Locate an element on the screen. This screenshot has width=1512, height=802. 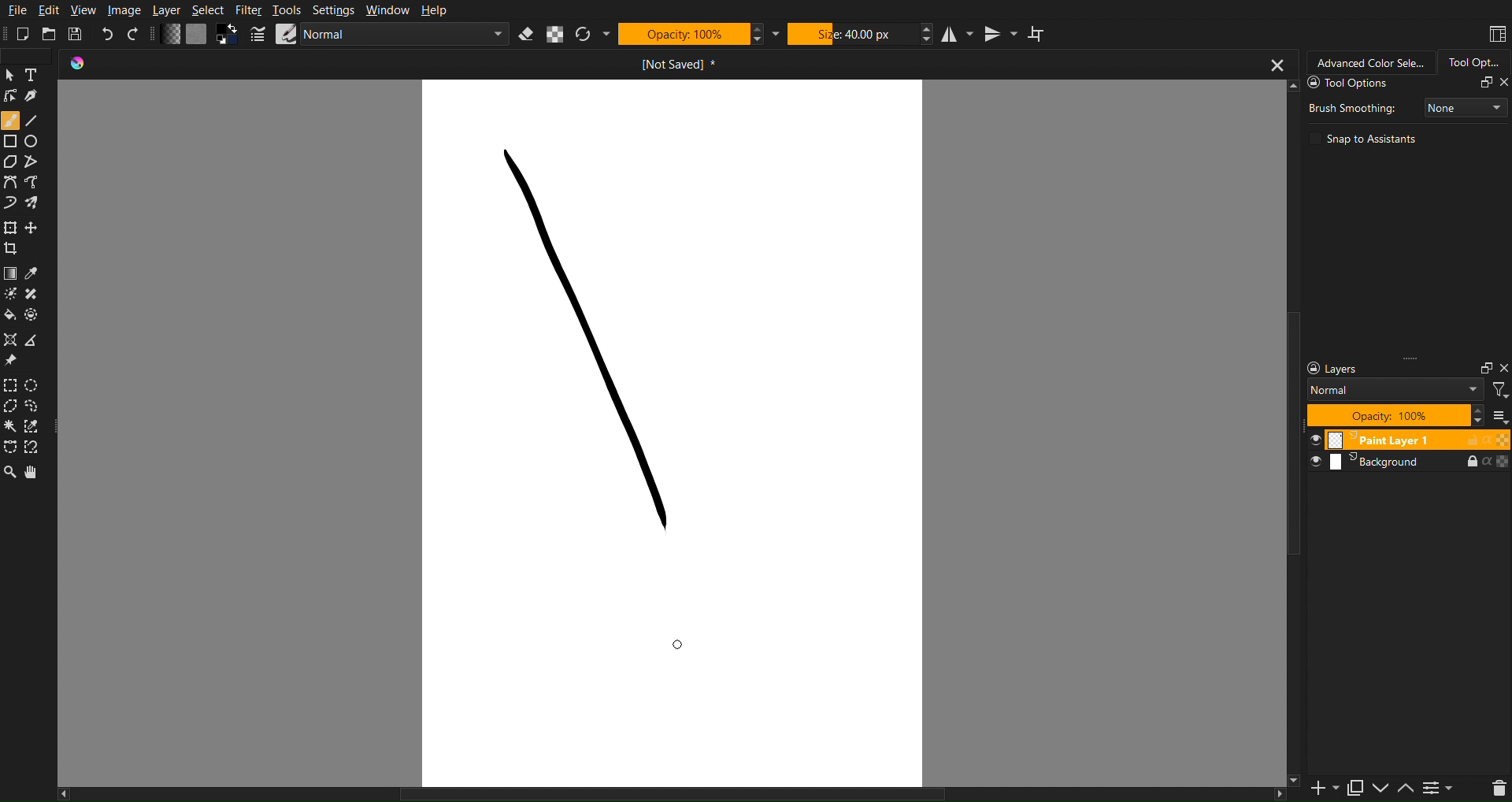
Color Picker is located at coordinates (38, 273).